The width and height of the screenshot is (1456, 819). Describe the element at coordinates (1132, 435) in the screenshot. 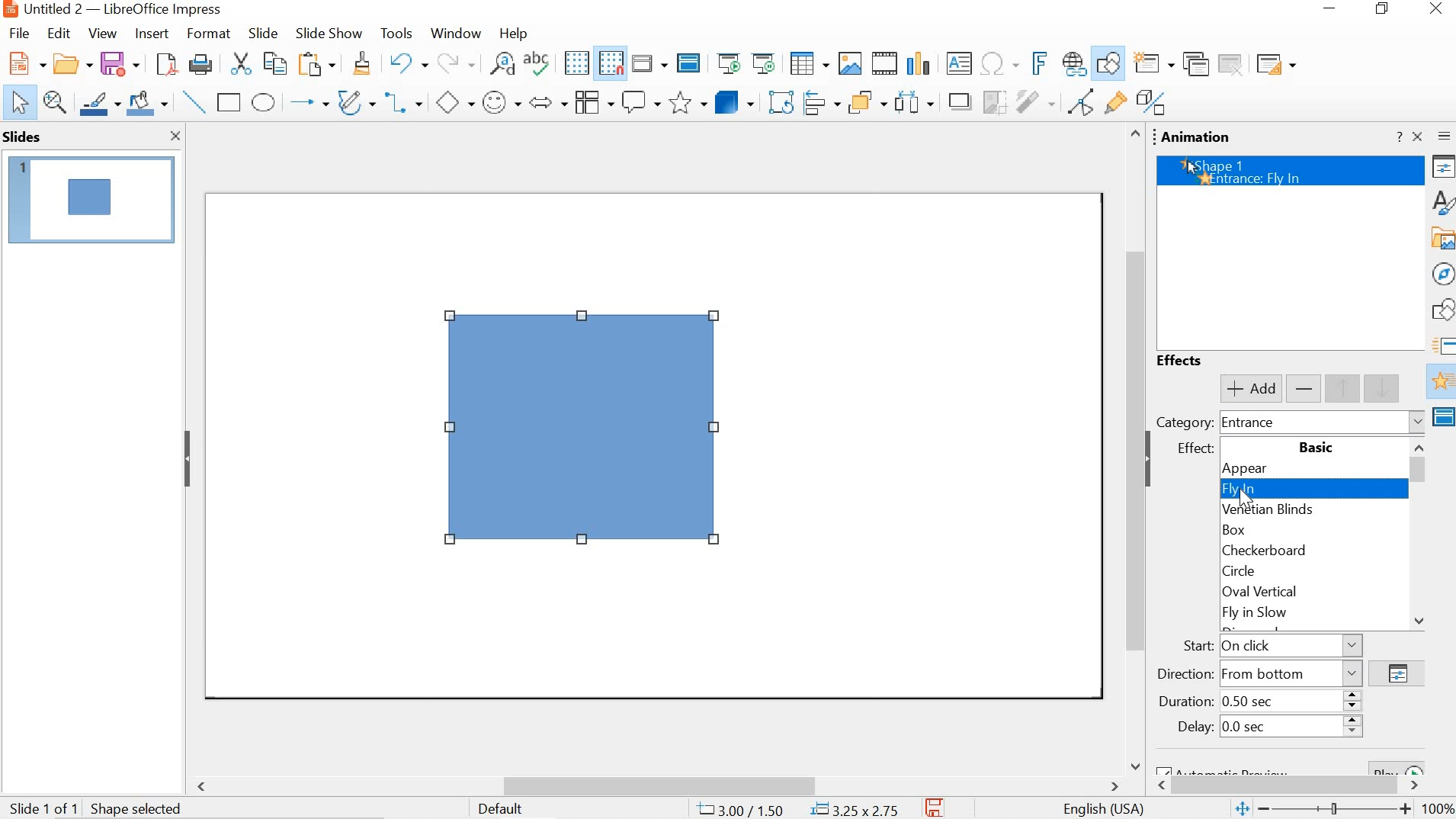

I see `scrollbar` at that location.